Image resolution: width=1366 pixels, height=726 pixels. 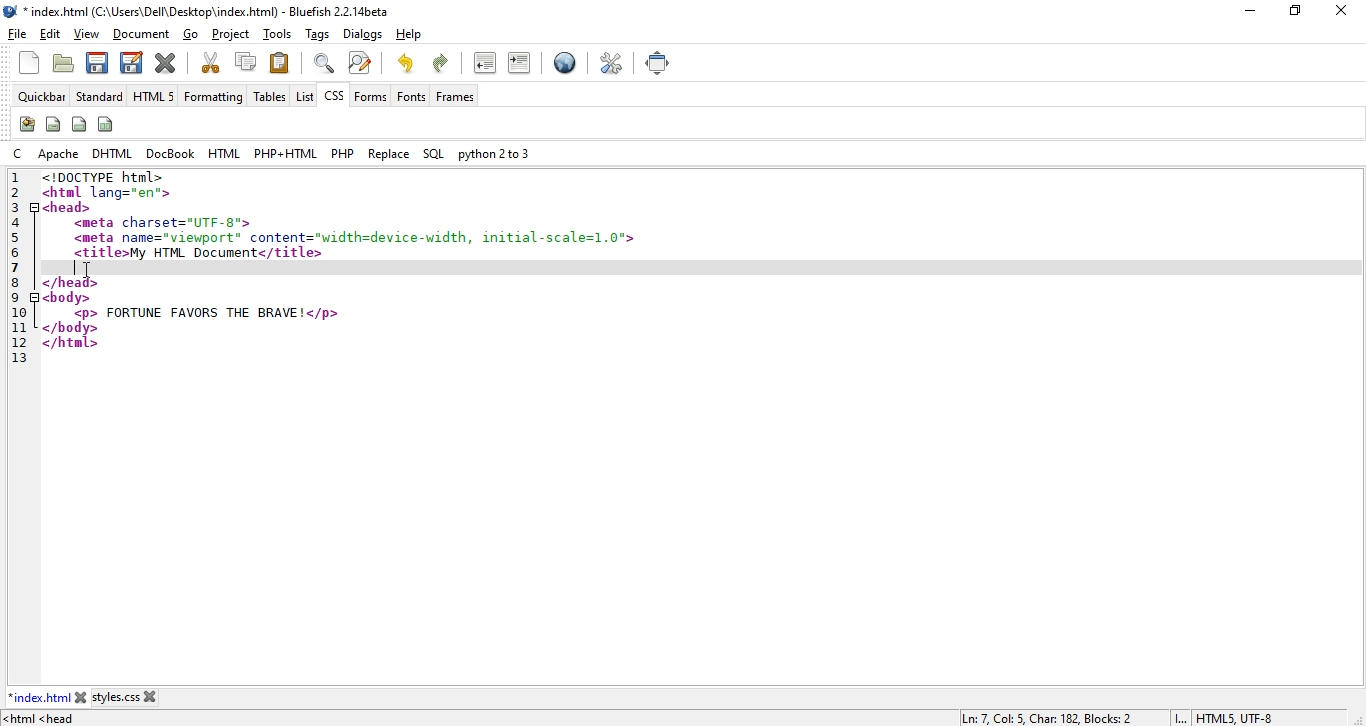 I want to click on close current file, so click(x=167, y=62).